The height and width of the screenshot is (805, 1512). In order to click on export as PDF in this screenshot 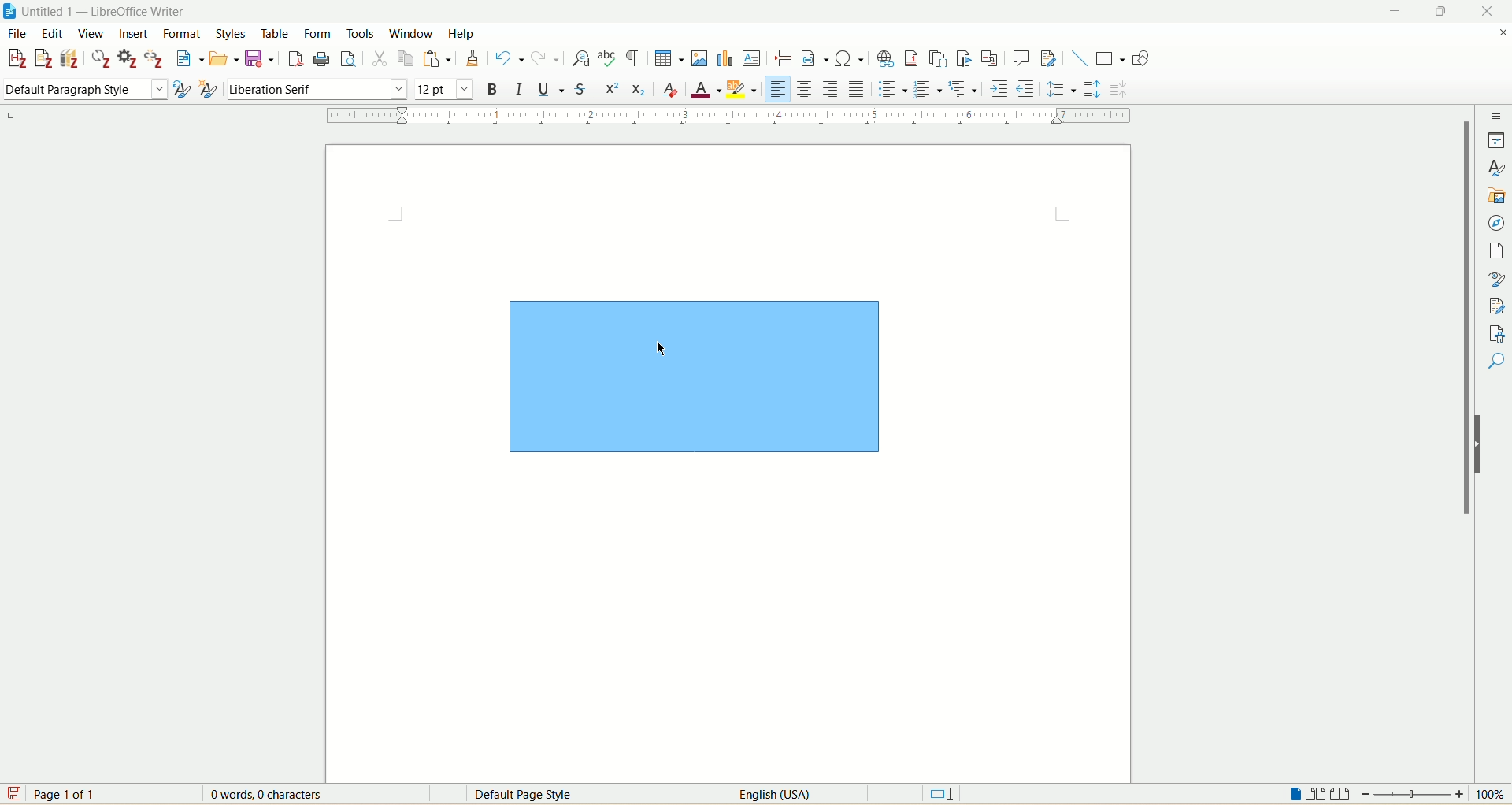, I will do `click(295, 61)`.